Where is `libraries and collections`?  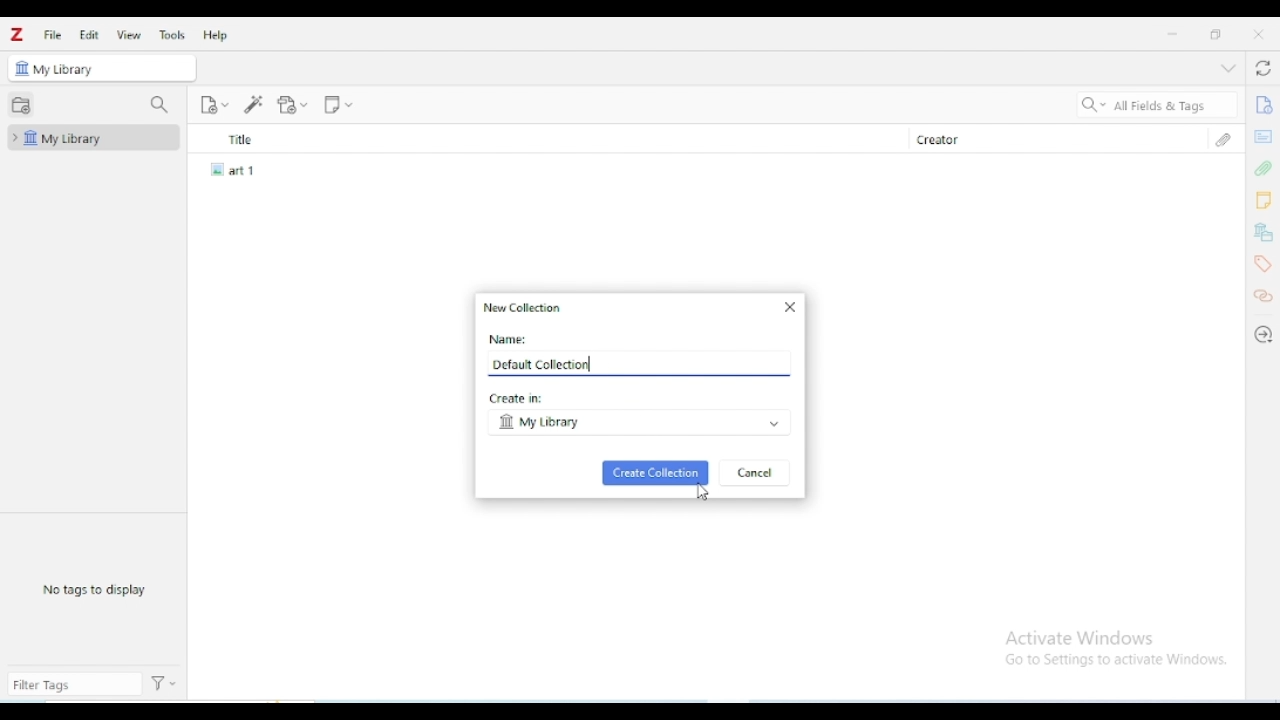
libraries and collections is located at coordinates (1264, 233).